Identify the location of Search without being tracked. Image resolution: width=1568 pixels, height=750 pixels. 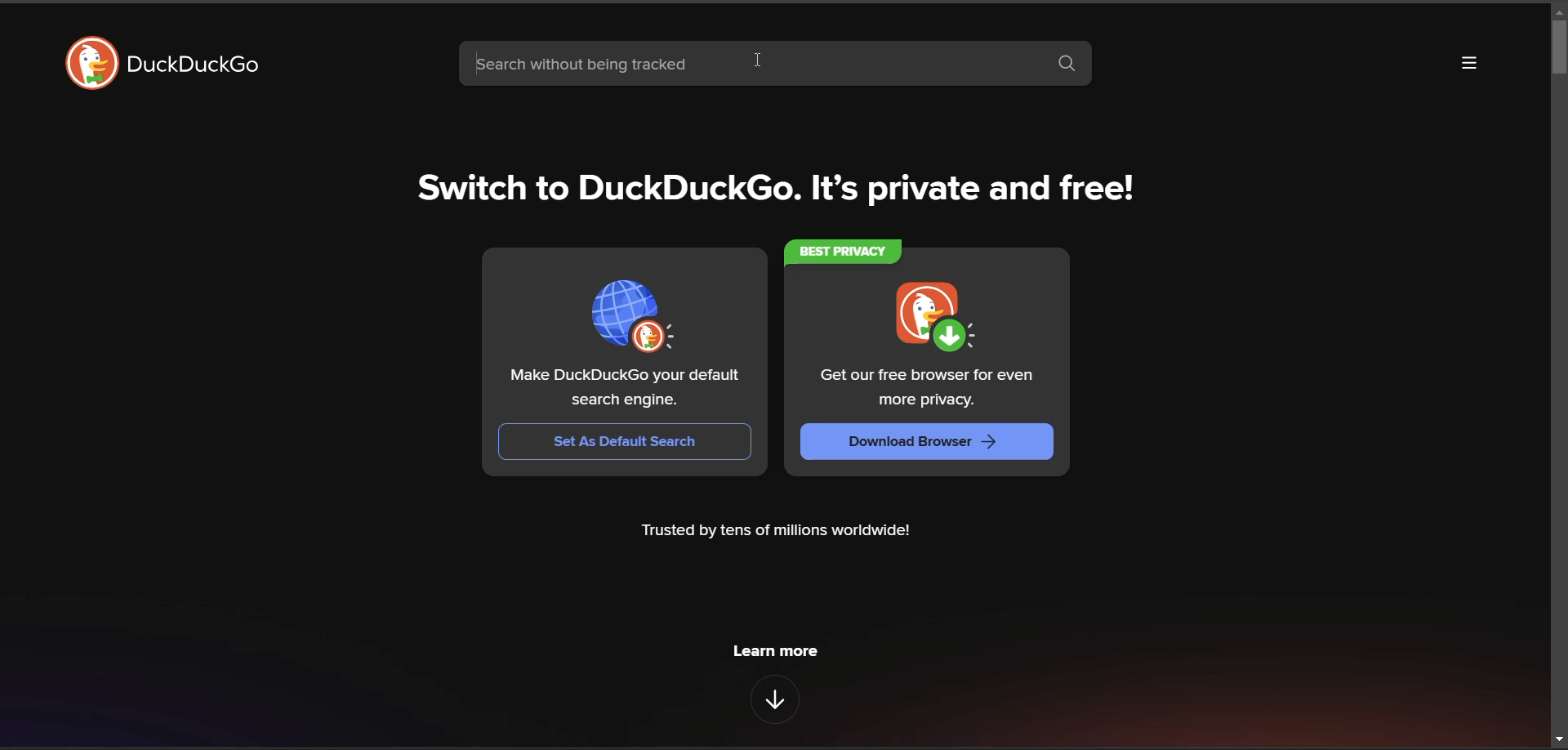
(744, 65).